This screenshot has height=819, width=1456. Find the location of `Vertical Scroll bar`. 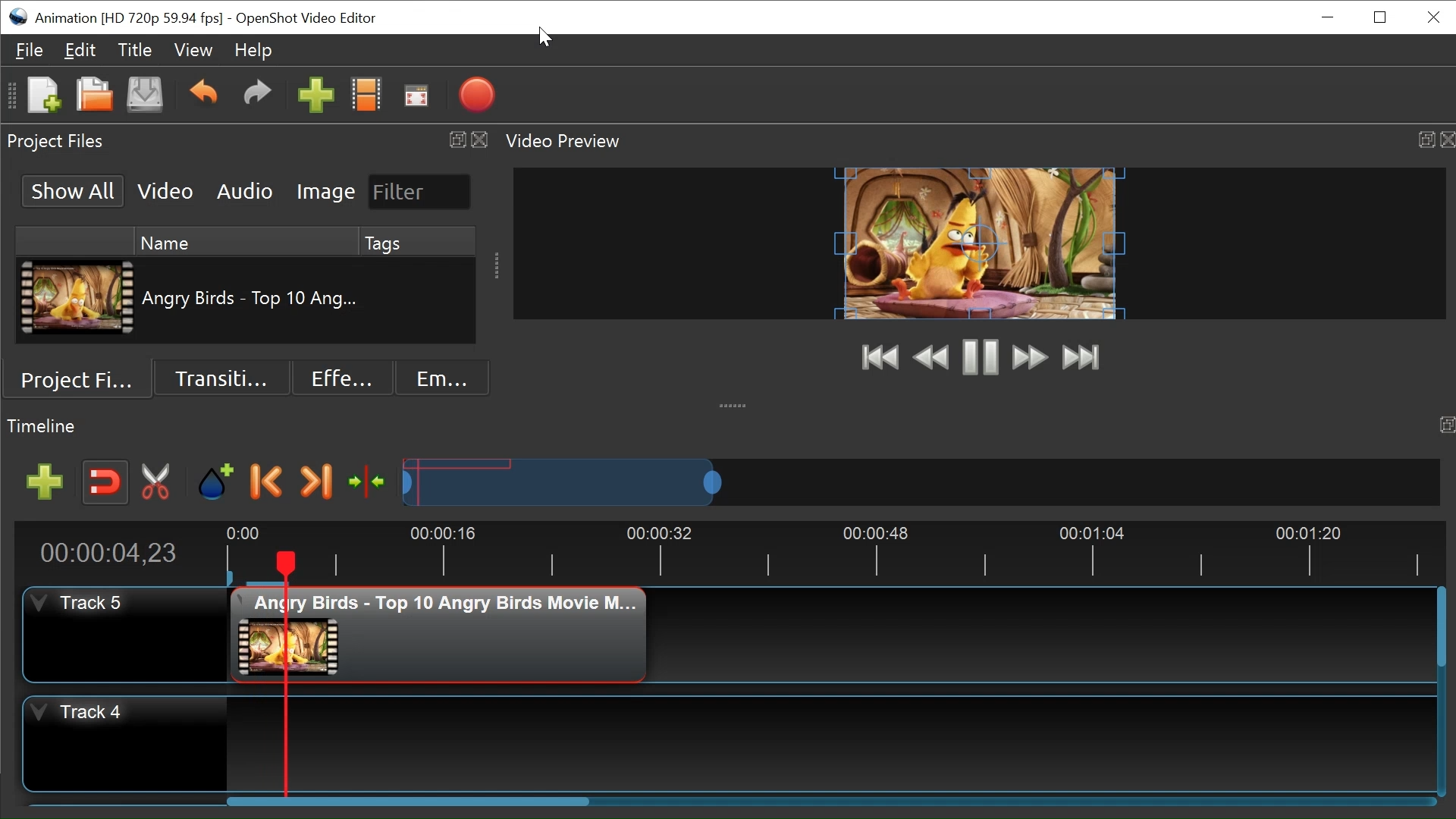

Vertical Scroll bar is located at coordinates (411, 800).